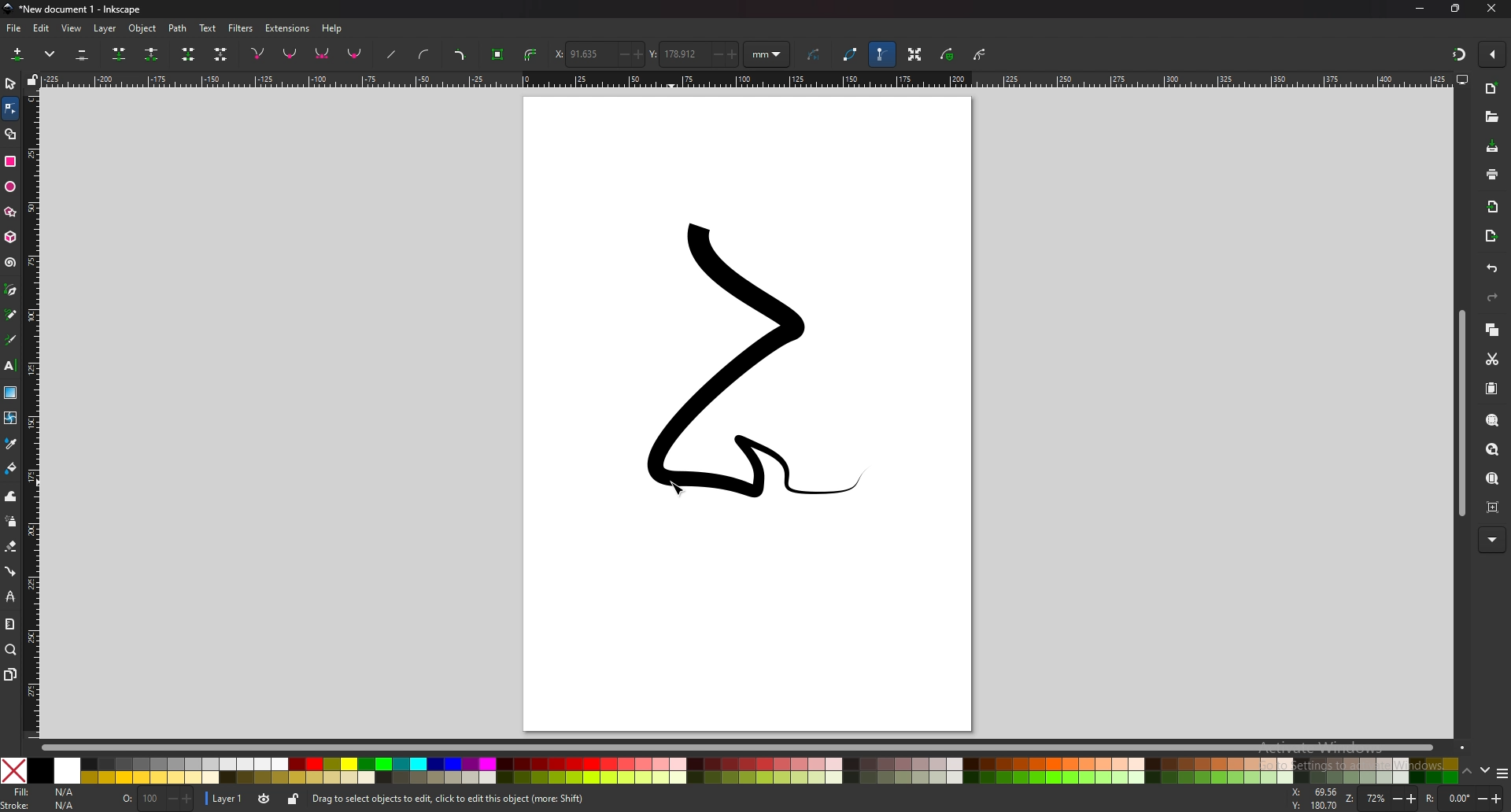 This screenshot has width=1511, height=812. Describe the element at coordinates (178, 28) in the screenshot. I see `path` at that location.